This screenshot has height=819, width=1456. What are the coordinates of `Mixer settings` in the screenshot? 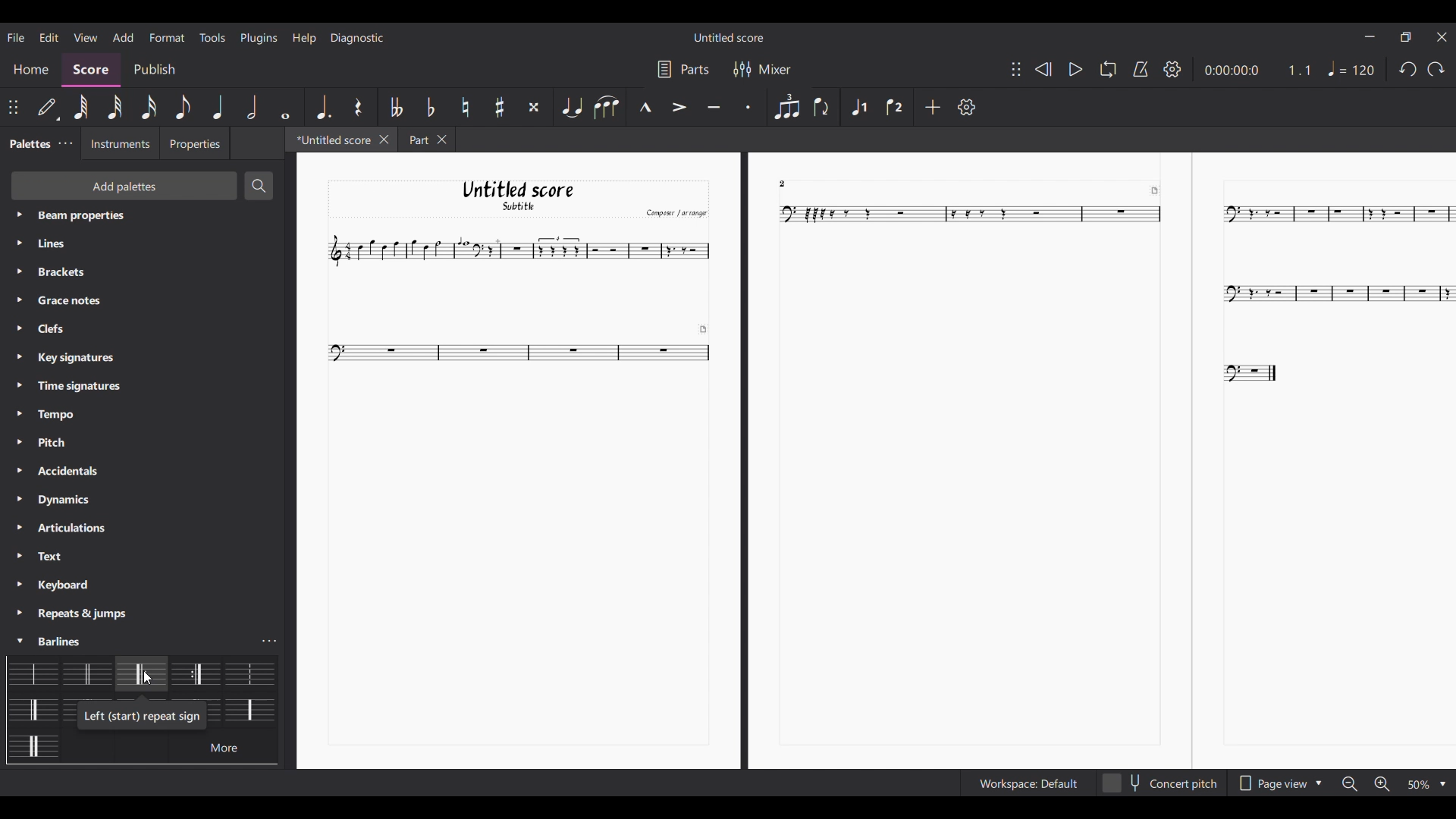 It's located at (763, 70).